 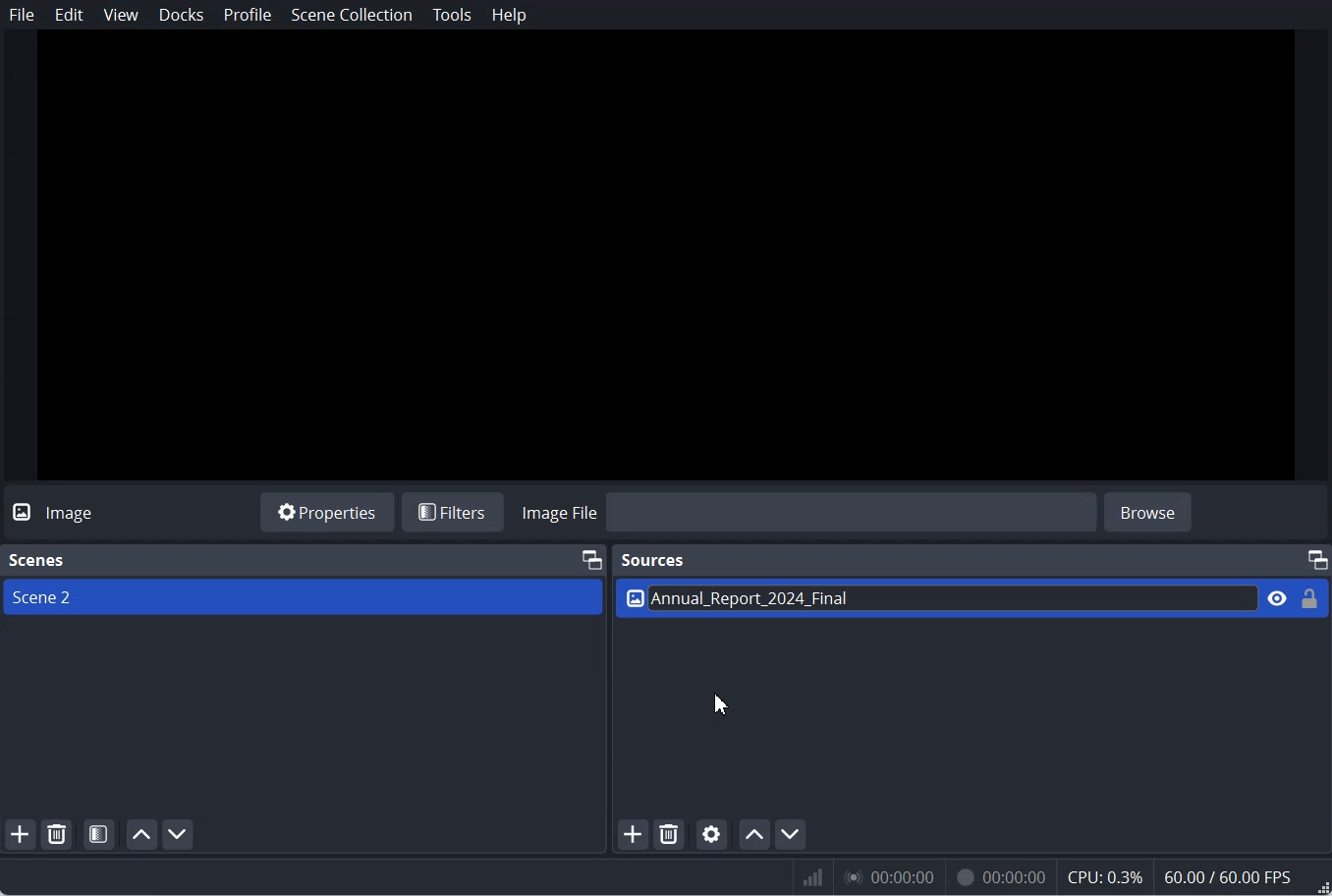 I want to click on Maximum, so click(x=591, y=559).